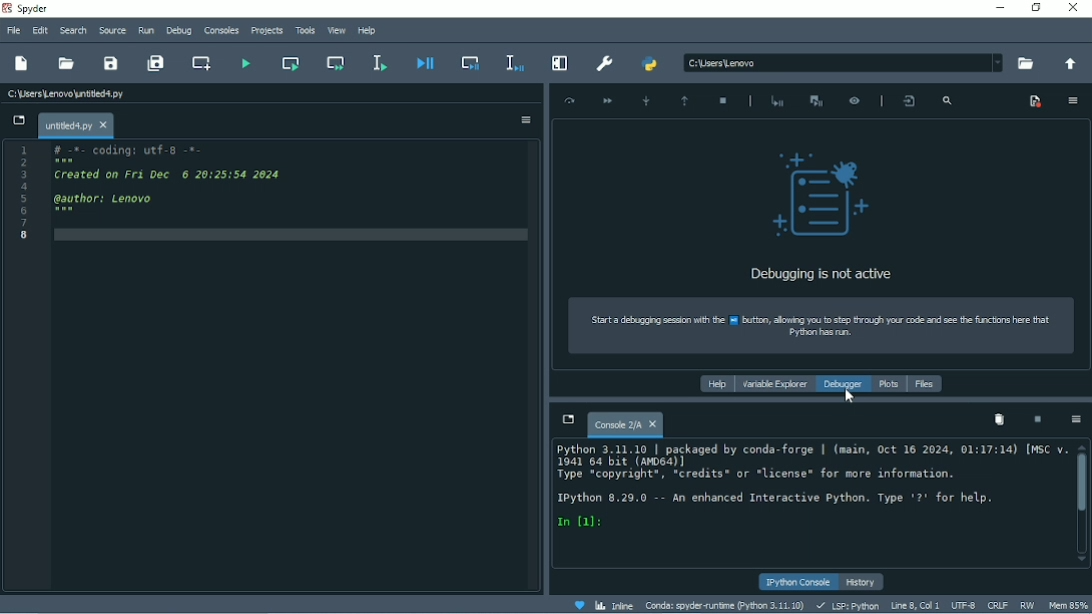  What do you see at coordinates (774, 383) in the screenshot?
I see `Variable explorer` at bounding box center [774, 383].